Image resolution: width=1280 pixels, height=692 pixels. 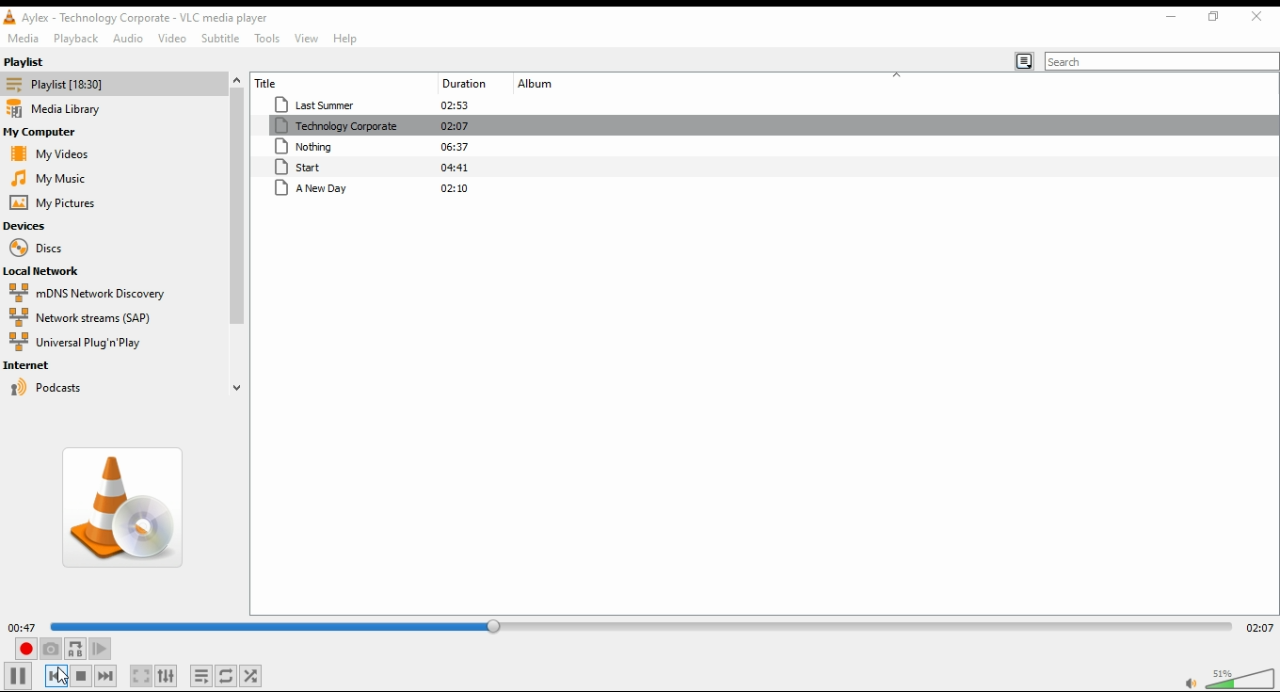 I want to click on 02:10, so click(x=455, y=187).